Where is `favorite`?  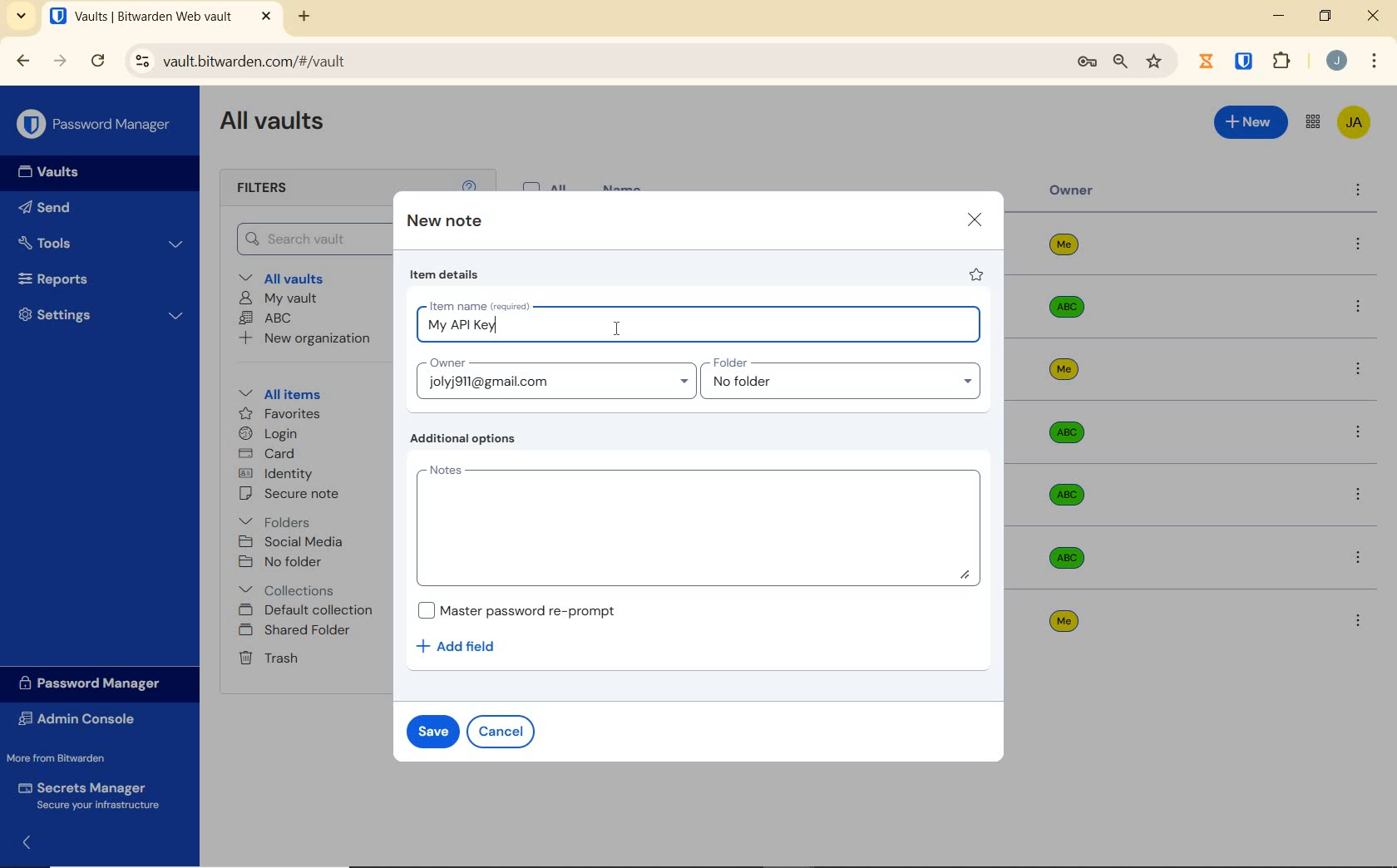 favorite is located at coordinates (977, 277).